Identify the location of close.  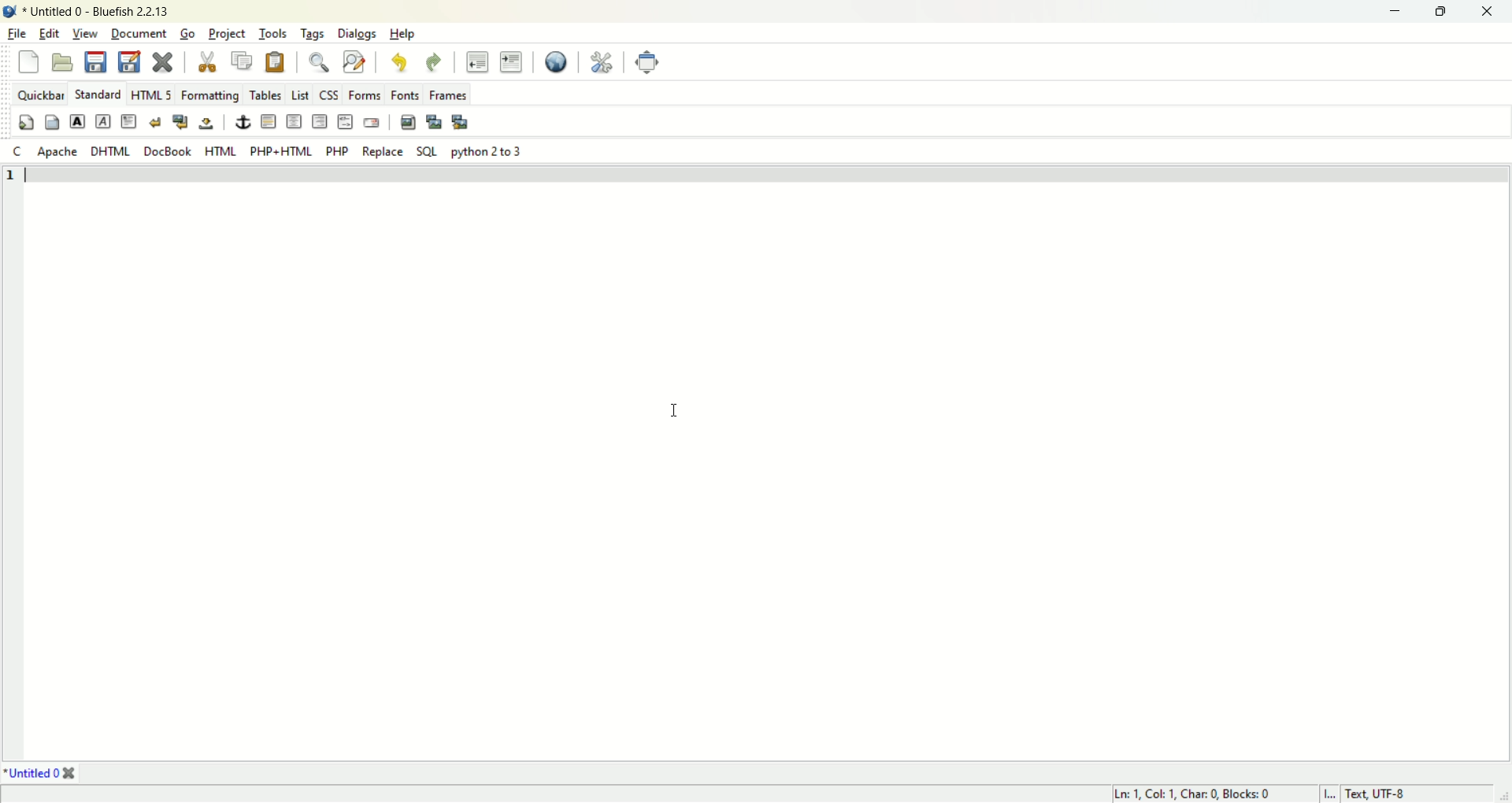
(1487, 12).